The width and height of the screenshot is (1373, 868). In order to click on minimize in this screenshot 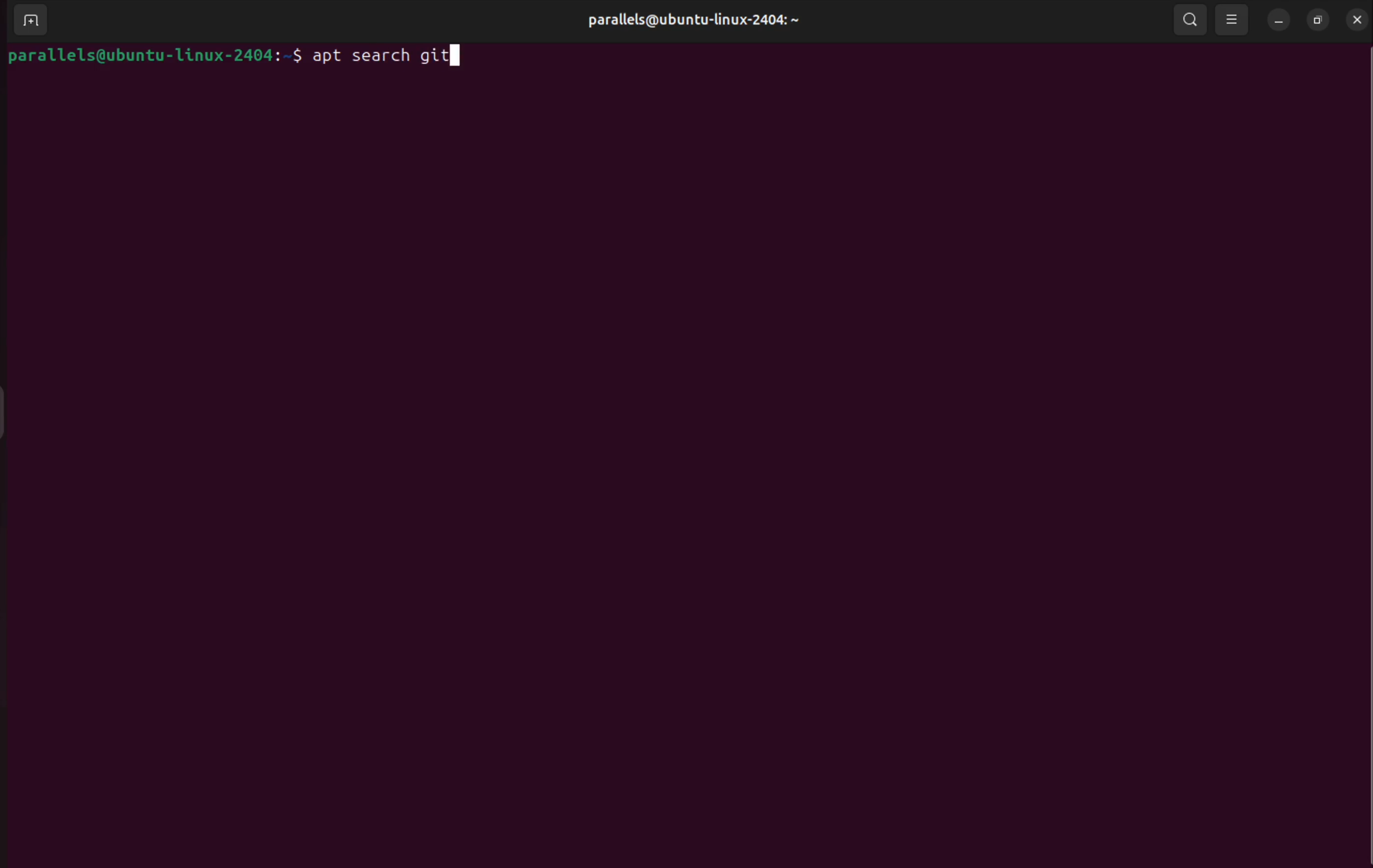, I will do `click(1276, 18)`.